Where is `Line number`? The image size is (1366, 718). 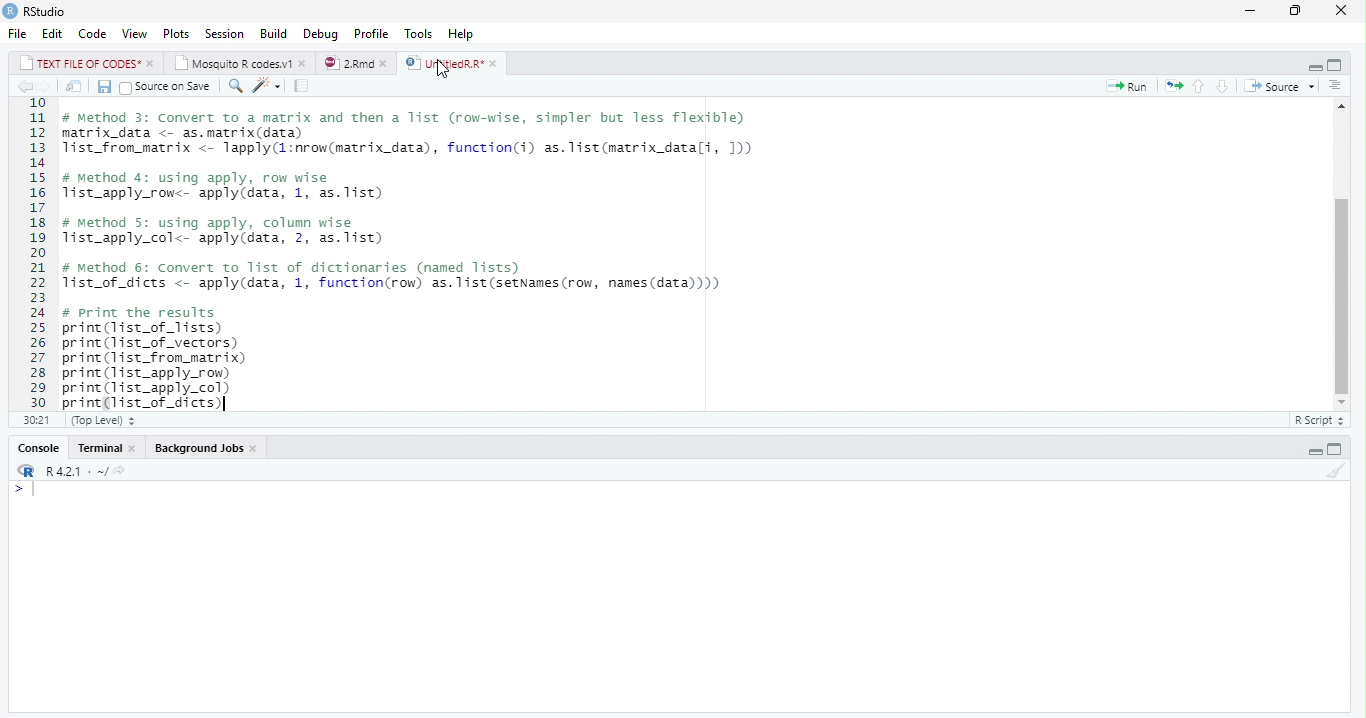 Line number is located at coordinates (35, 254).